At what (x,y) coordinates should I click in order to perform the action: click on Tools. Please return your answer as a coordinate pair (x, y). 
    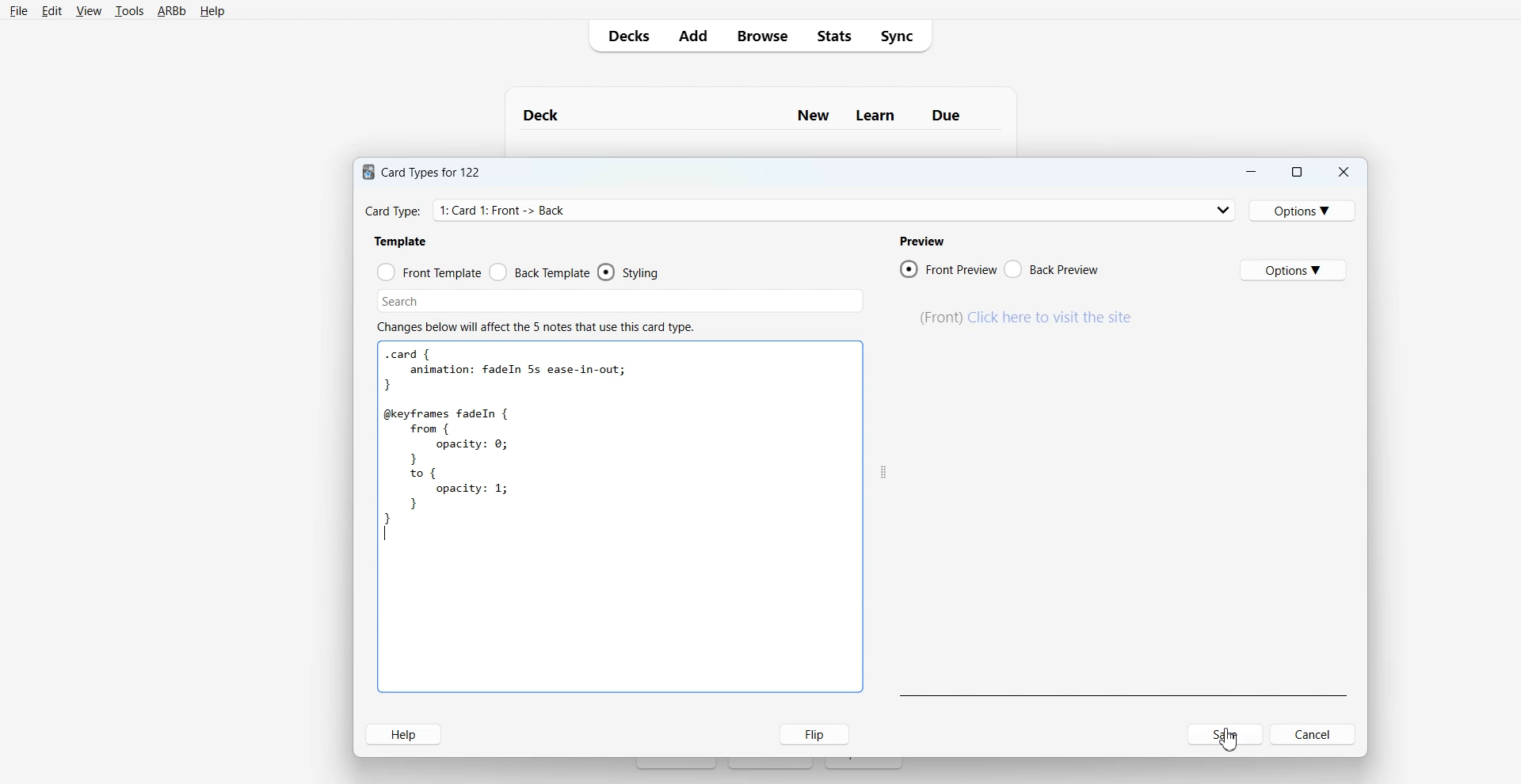
    Looking at the image, I should click on (129, 11).